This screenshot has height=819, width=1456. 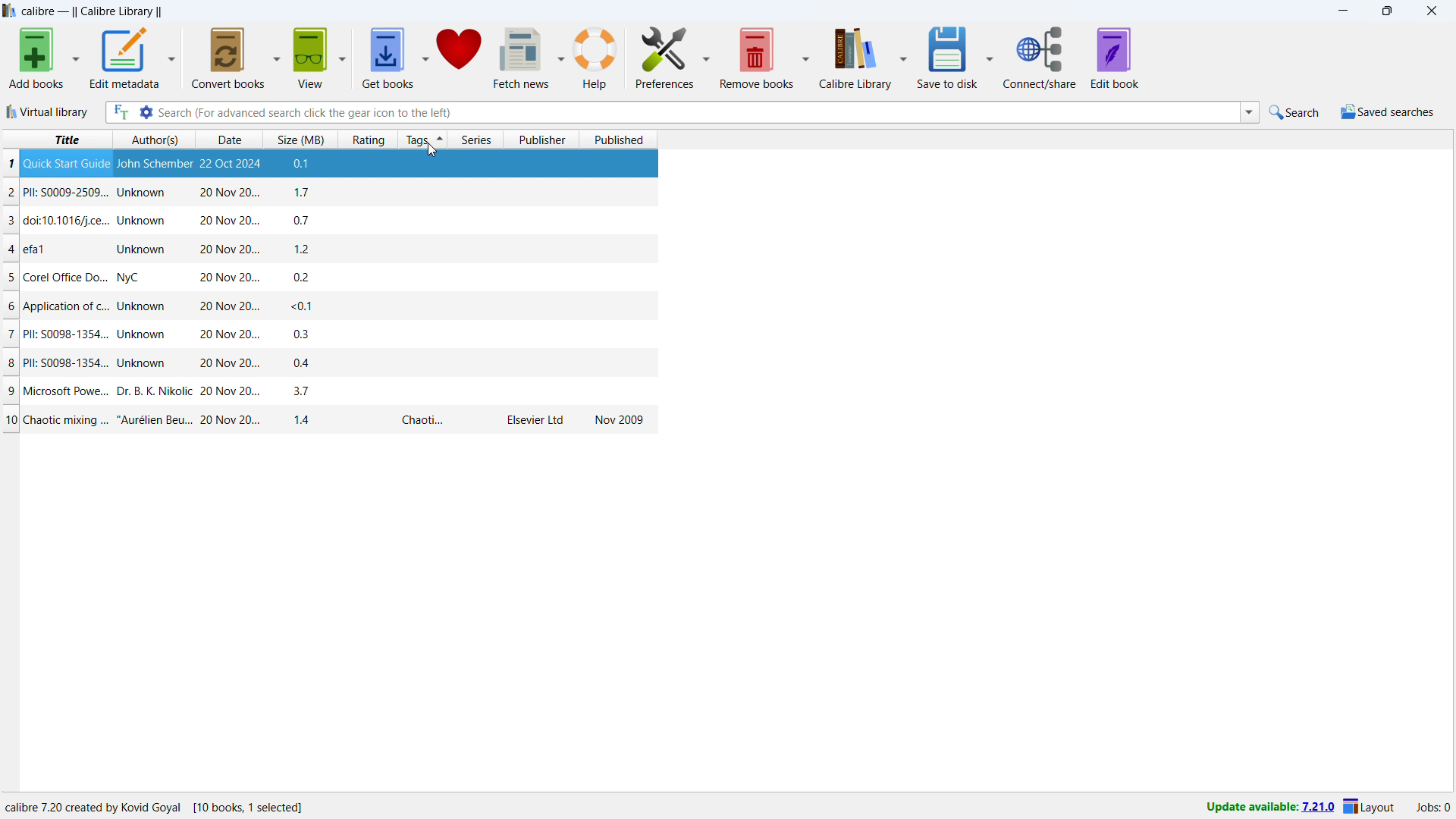 What do you see at coordinates (325, 221) in the screenshot?
I see `one book entry` at bounding box center [325, 221].